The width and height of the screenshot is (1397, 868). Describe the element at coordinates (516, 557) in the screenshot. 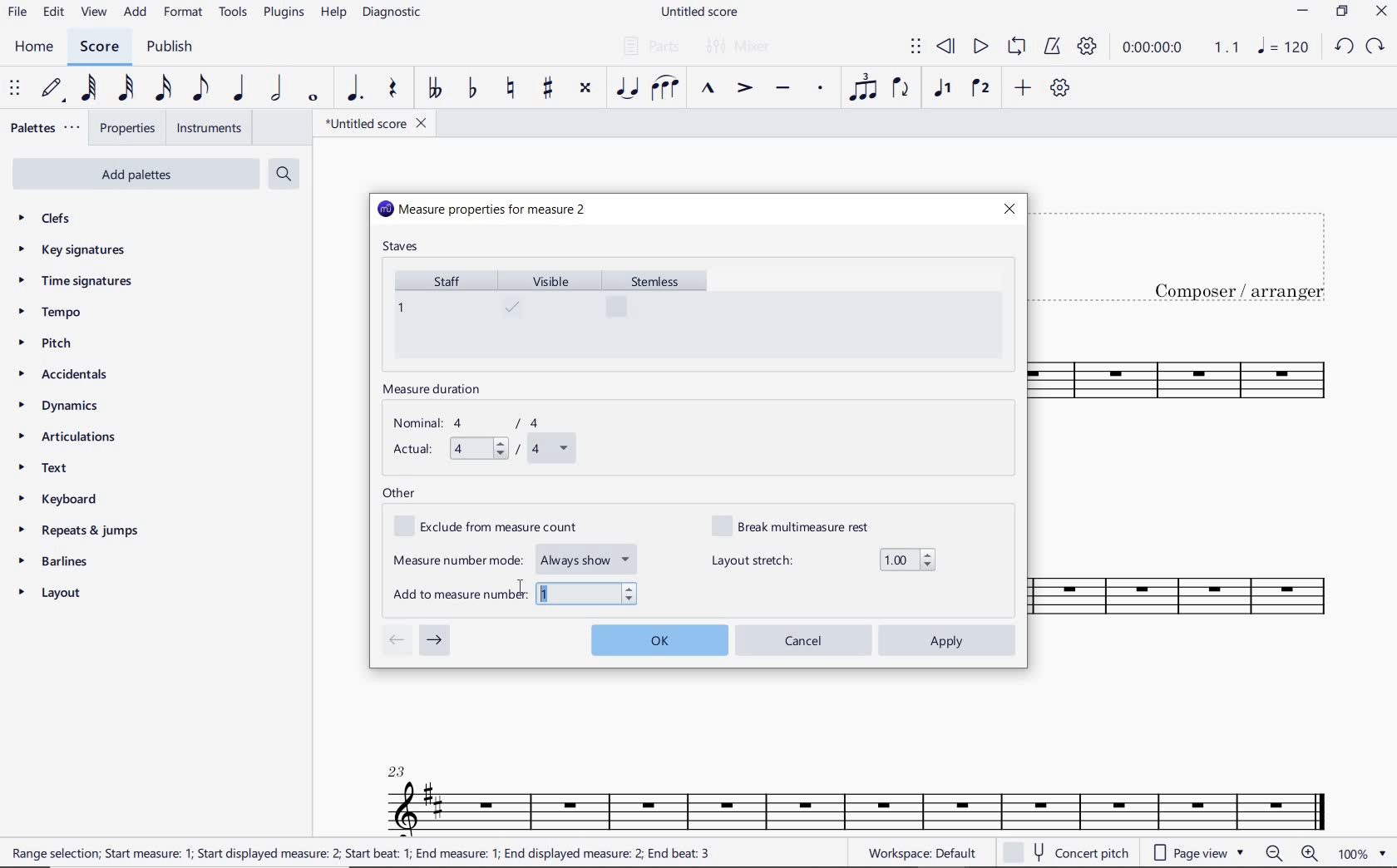

I see `measure number mode` at that location.